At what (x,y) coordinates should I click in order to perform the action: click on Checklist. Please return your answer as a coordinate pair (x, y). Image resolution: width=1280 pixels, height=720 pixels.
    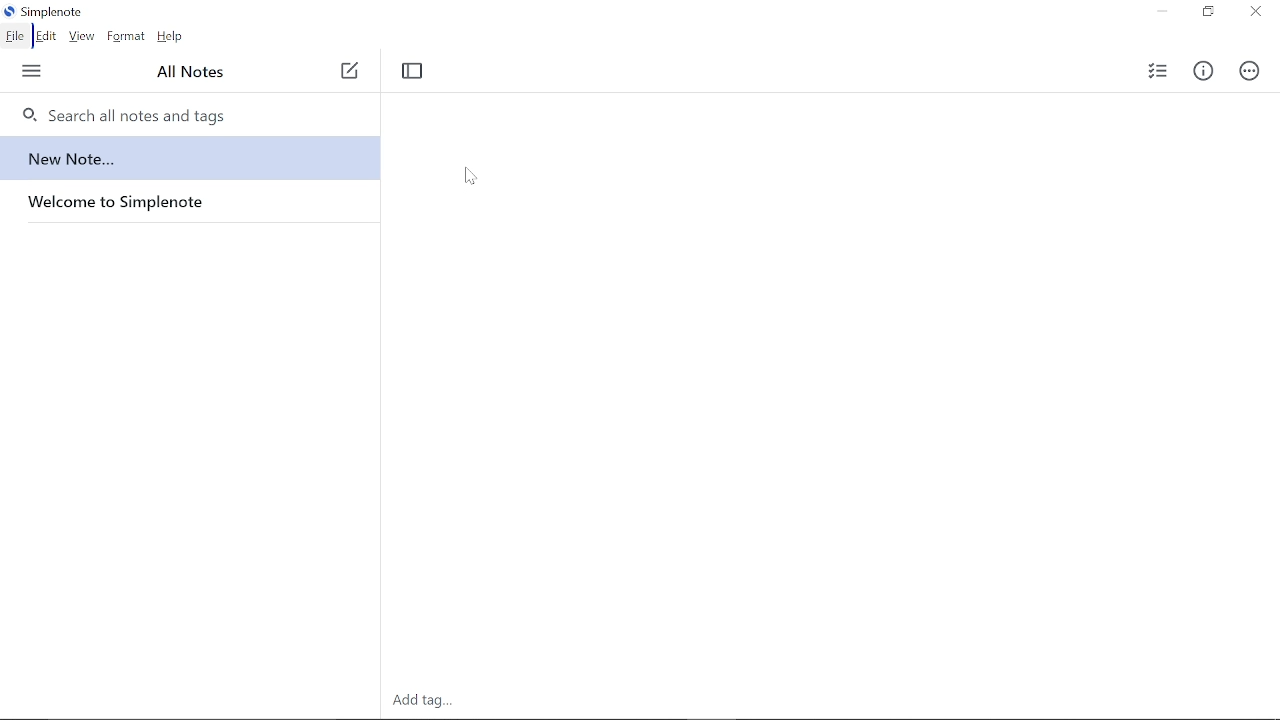
    Looking at the image, I should click on (1158, 75).